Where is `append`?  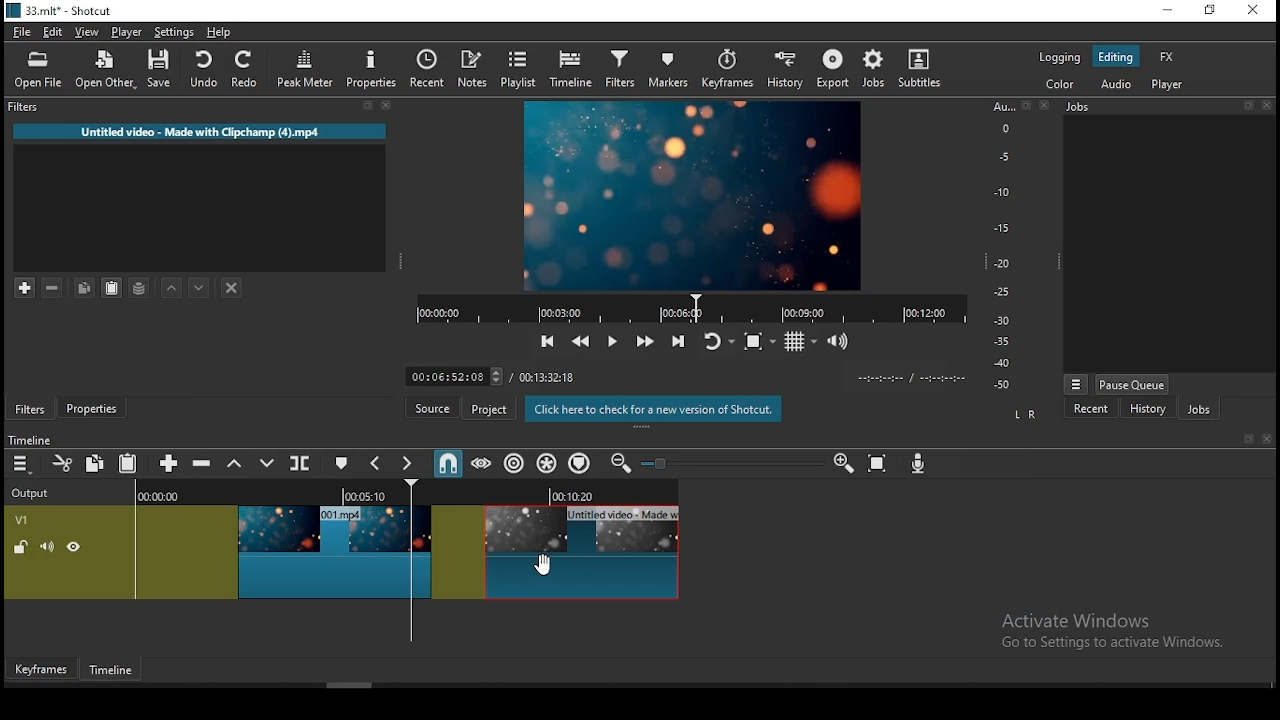 append is located at coordinates (171, 466).